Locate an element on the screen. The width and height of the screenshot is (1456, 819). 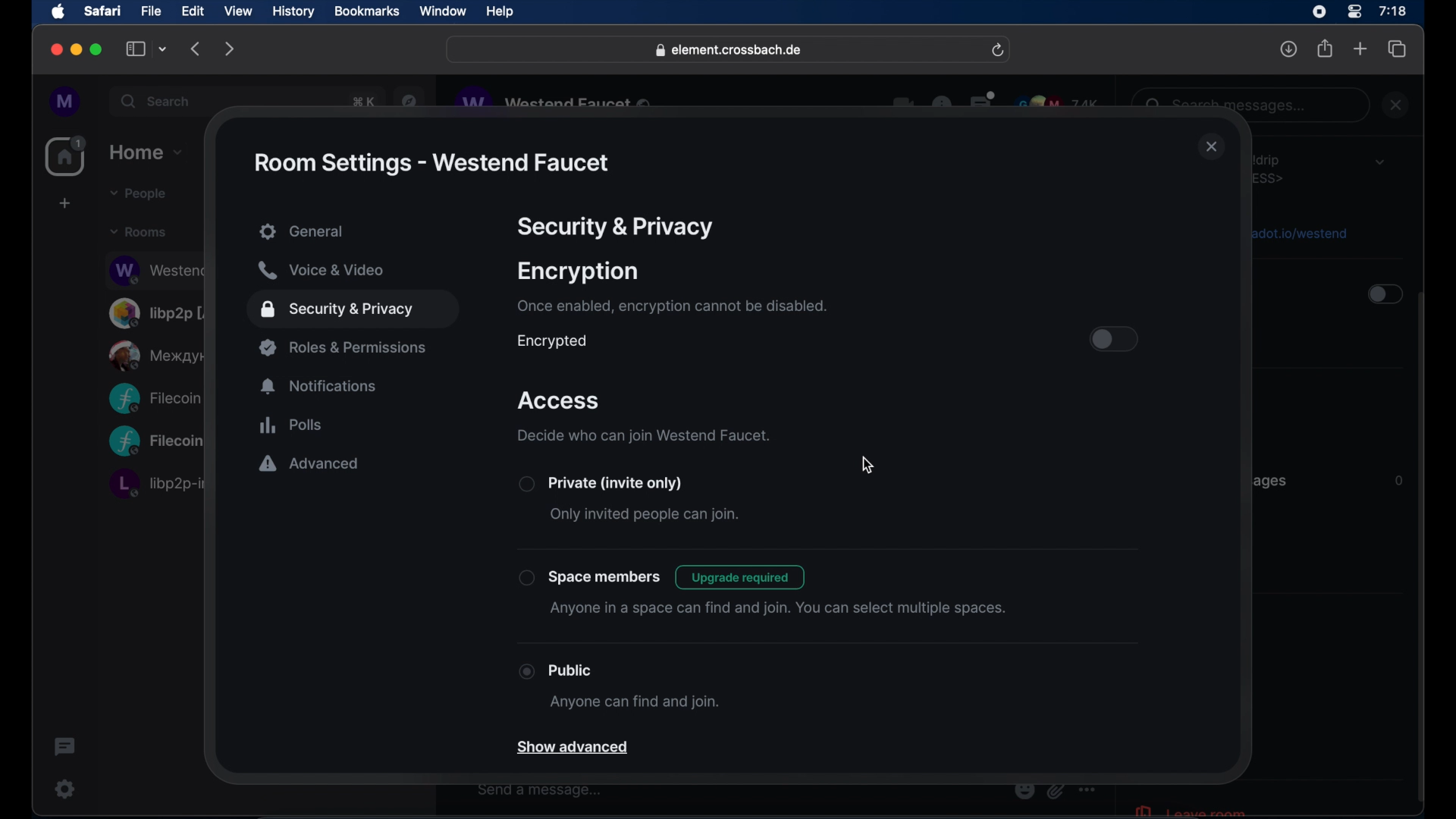
tab group picker is located at coordinates (163, 49).